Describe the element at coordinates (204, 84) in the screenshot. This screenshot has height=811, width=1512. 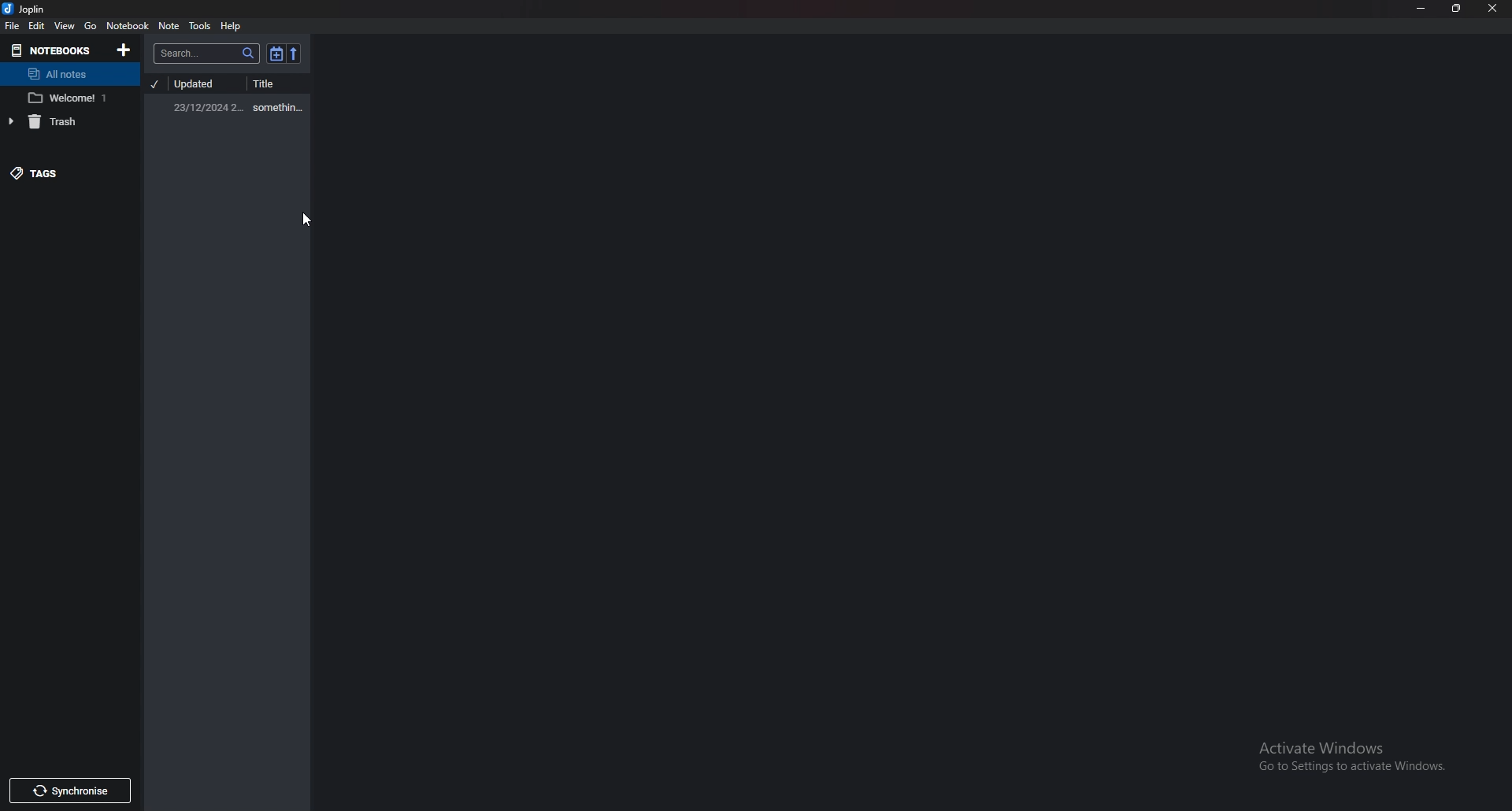
I see `Updated` at that location.